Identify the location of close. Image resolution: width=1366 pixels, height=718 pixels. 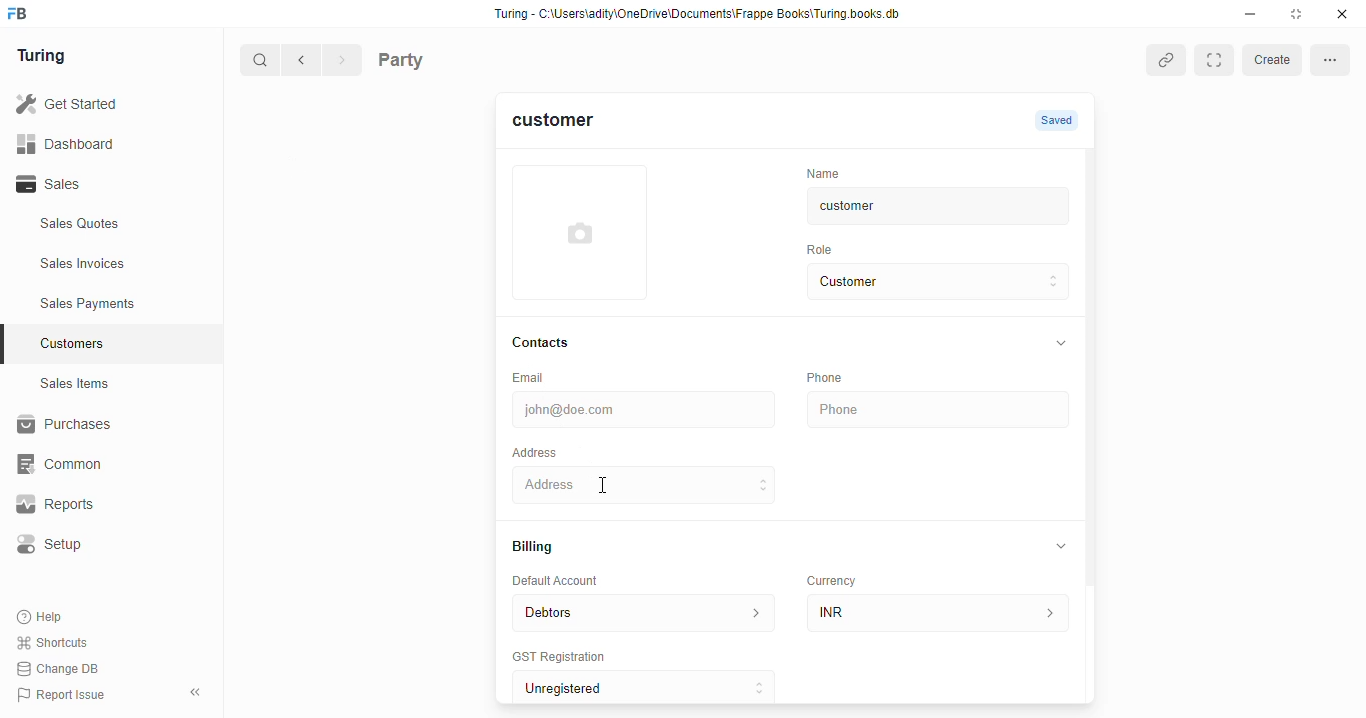
(1345, 14).